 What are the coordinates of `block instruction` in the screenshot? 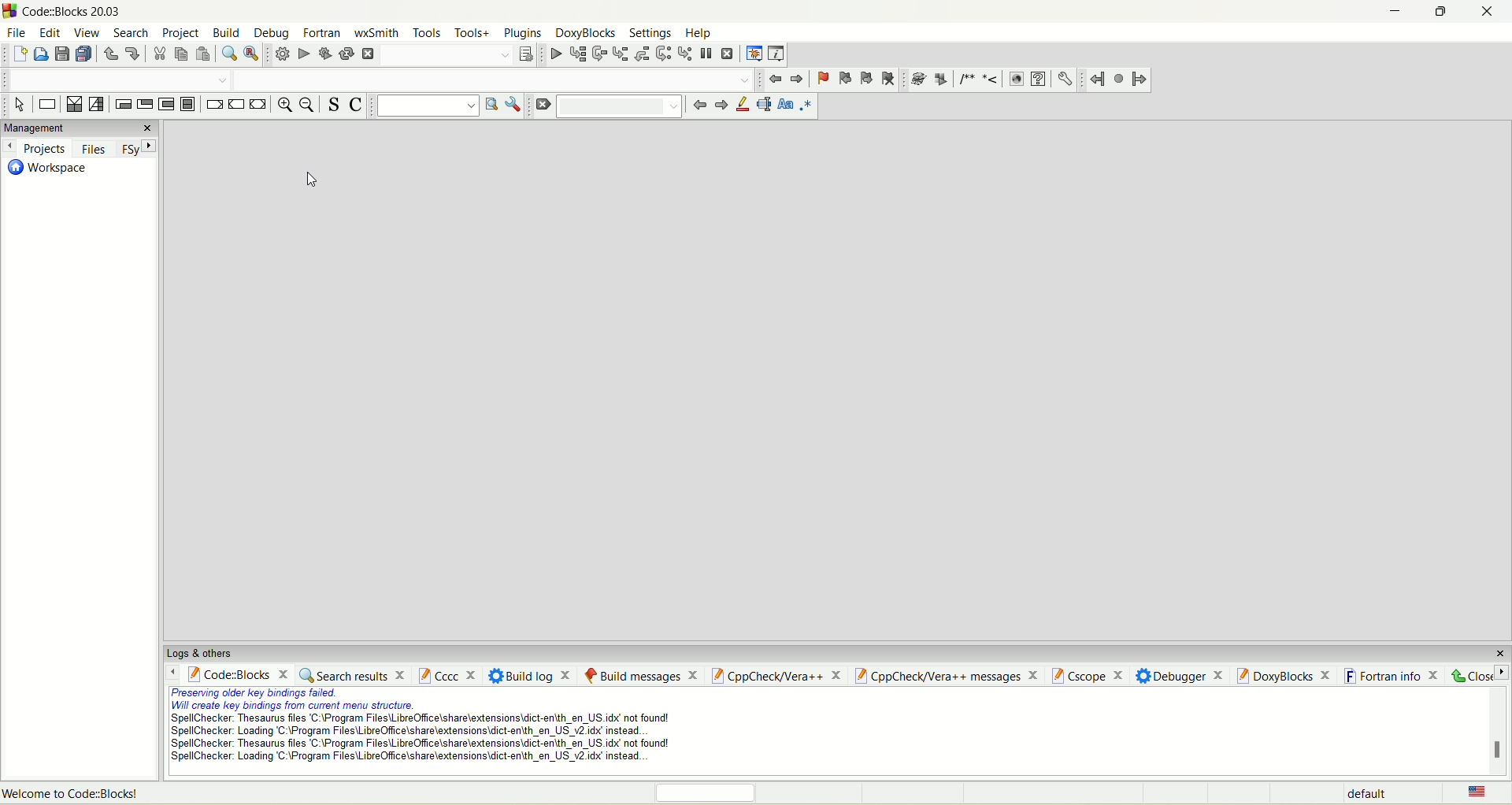 It's located at (191, 106).